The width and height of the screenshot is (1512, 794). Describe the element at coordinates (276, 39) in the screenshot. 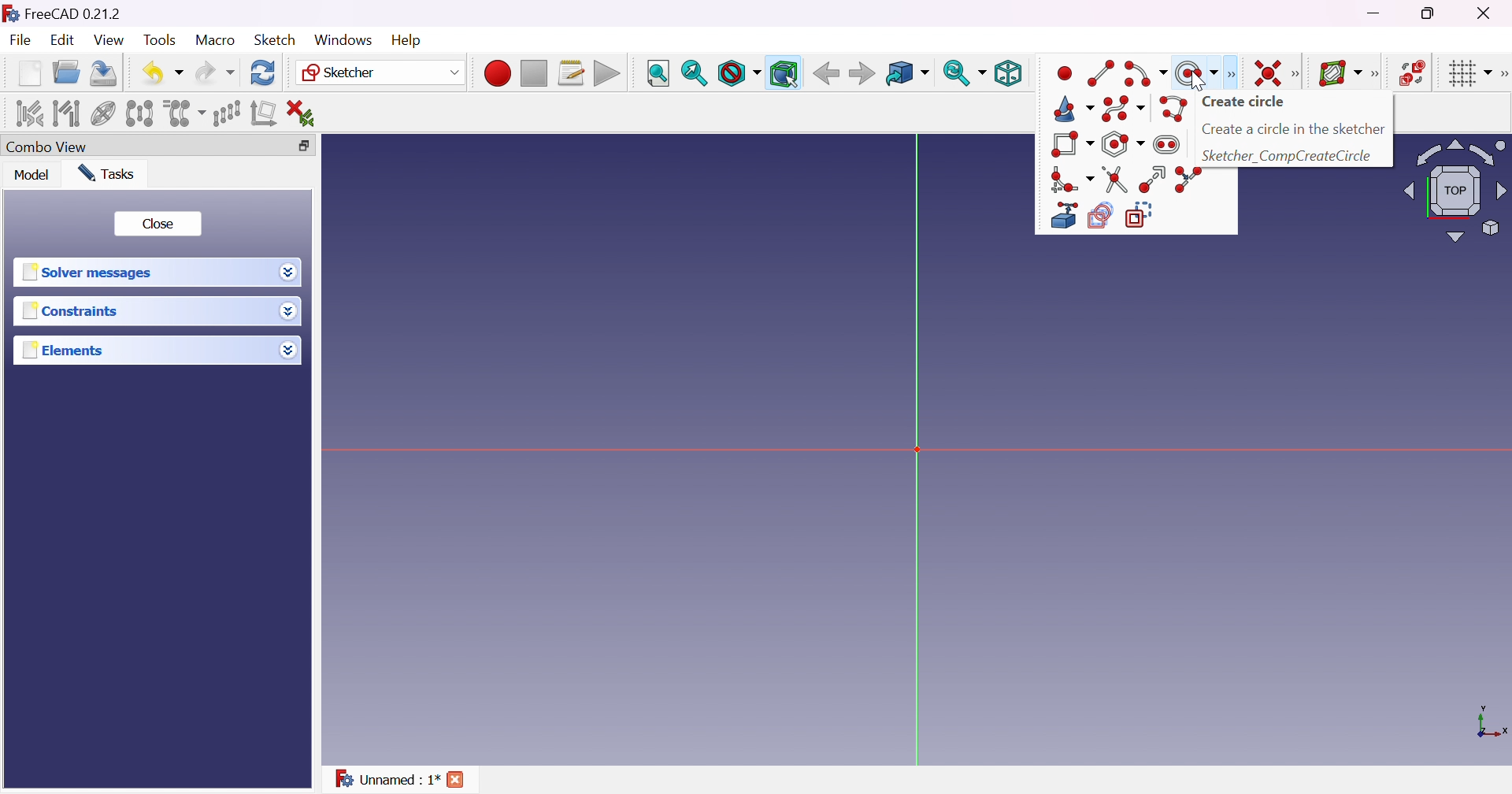

I see `Sketch` at that location.